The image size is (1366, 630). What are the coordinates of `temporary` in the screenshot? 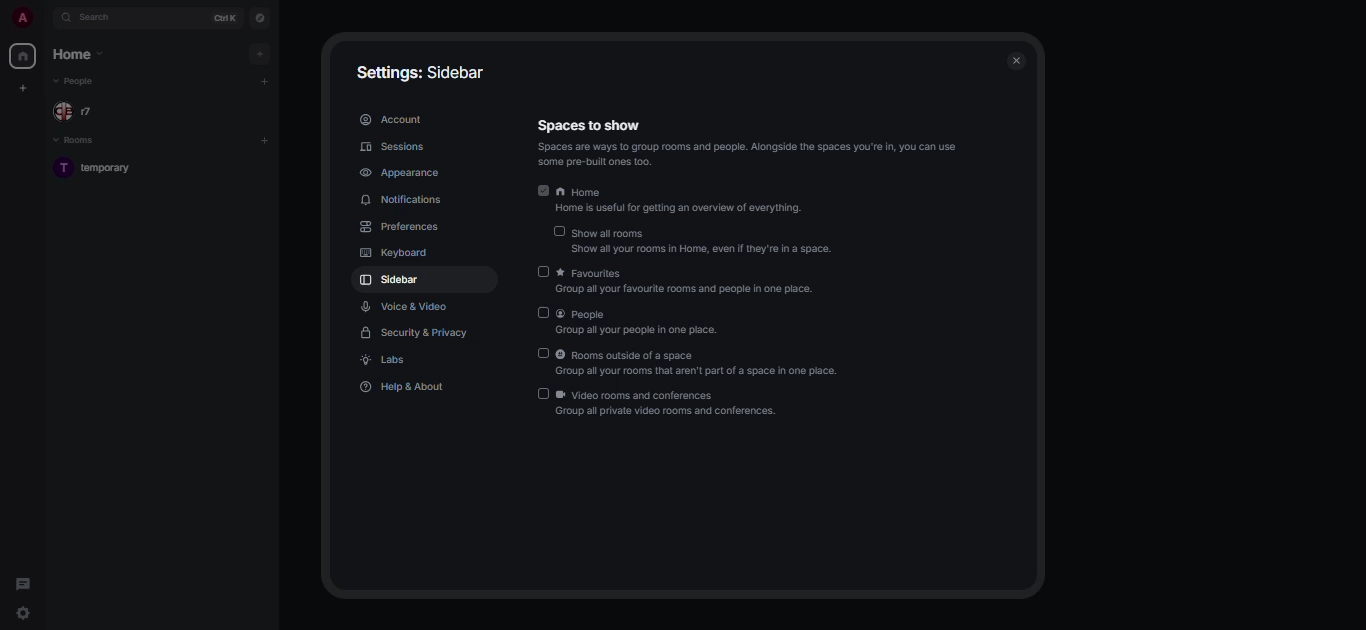 It's located at (103, 169).